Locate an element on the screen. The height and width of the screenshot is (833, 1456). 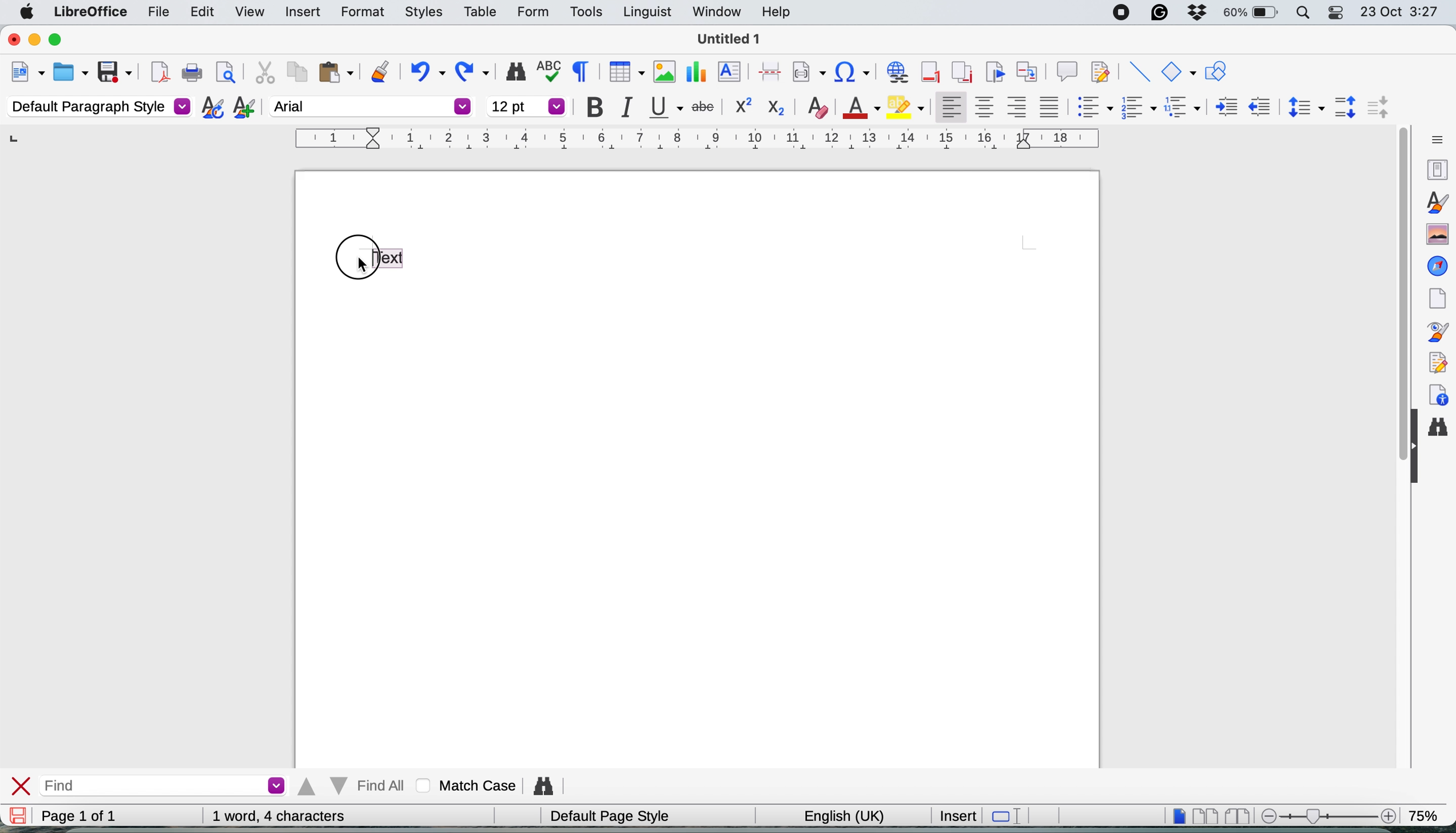
updated selected style is located at coordinates (209, 108).